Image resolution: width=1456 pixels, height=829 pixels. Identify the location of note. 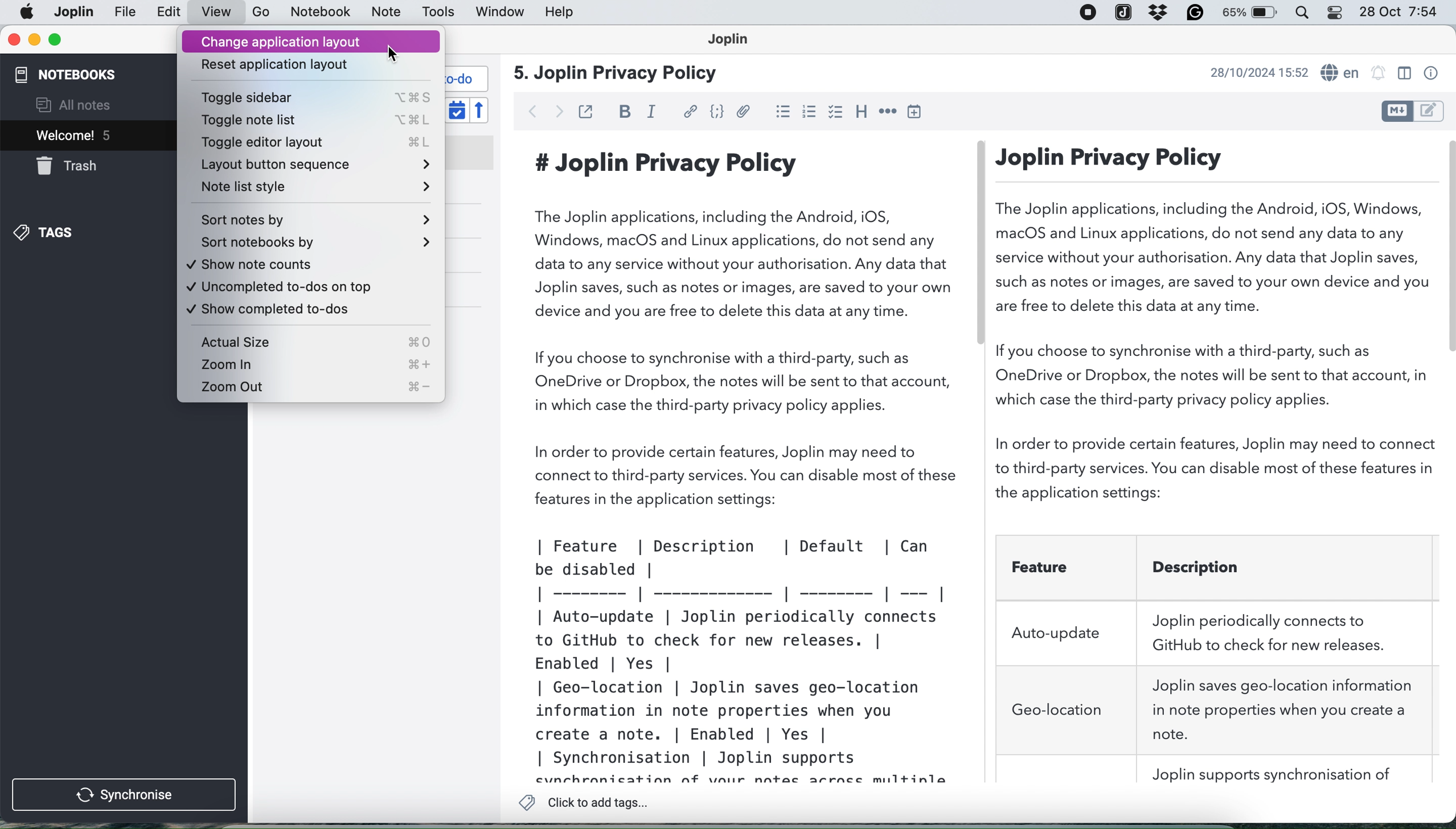
(384, 13).